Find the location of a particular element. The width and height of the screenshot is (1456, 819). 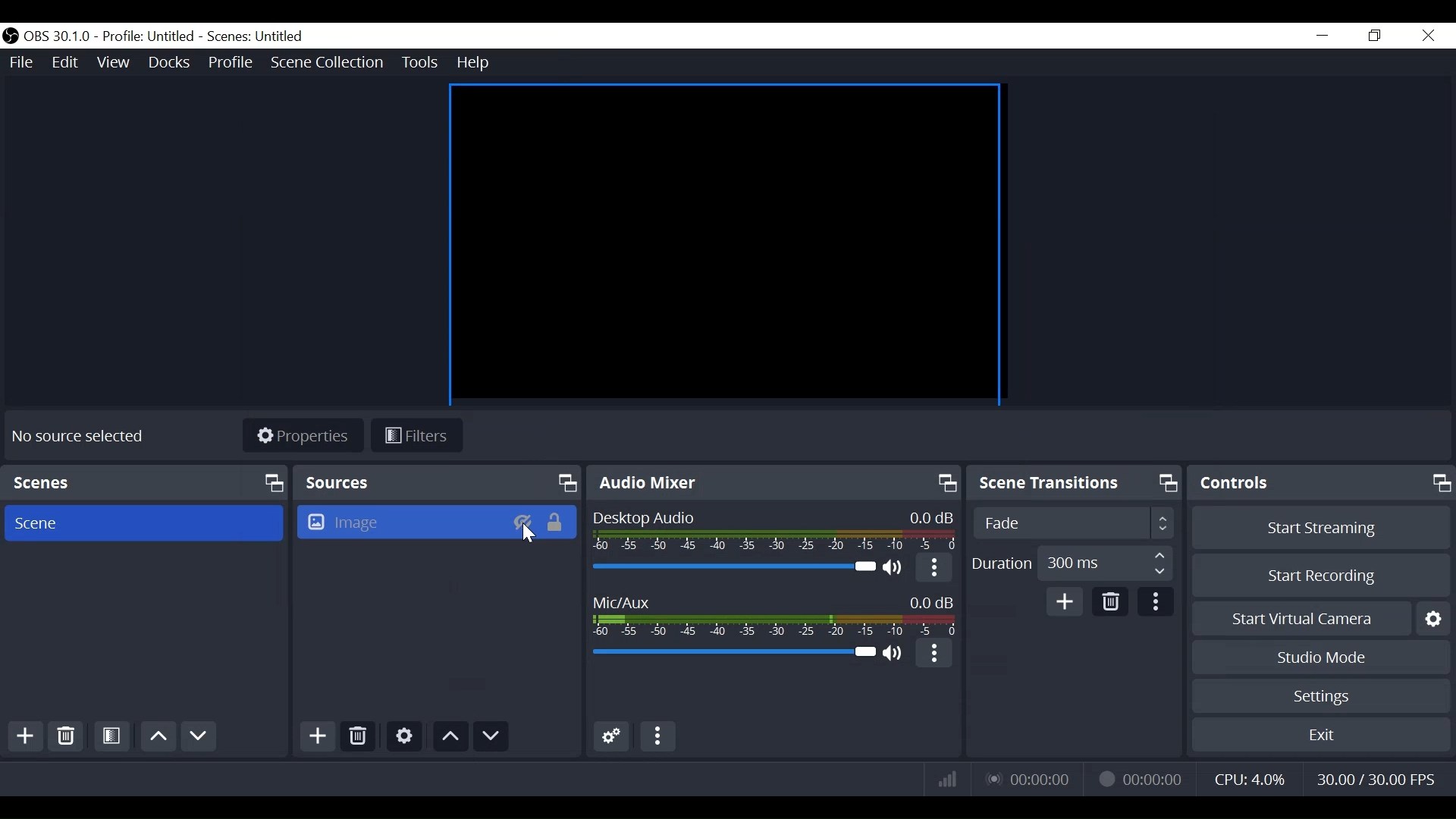

Scene Transitions is located at coordinates (1073, 522).